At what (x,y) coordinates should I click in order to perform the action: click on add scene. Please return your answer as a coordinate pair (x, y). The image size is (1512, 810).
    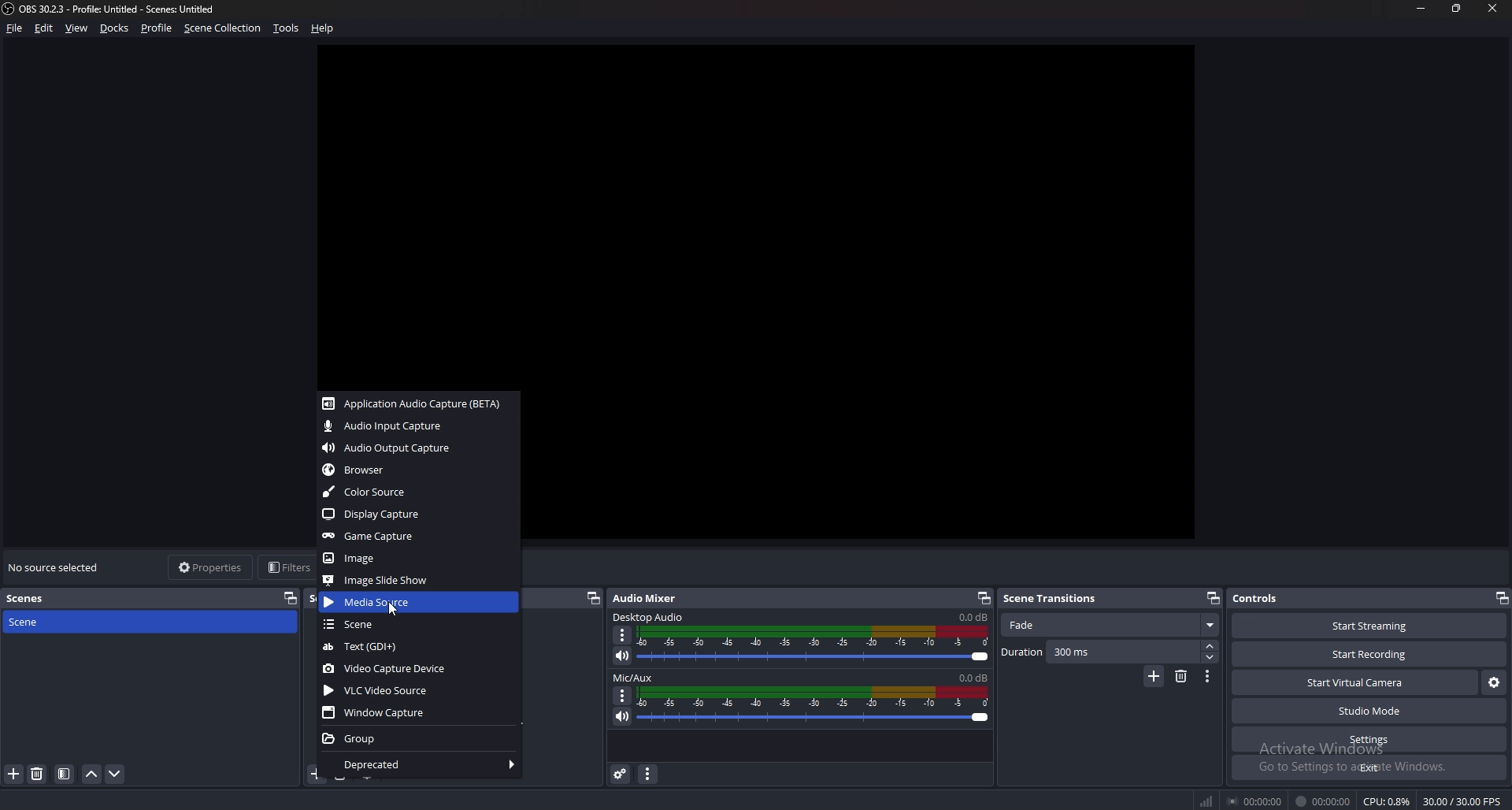
    Looking at the image, I should click on (15, 774).